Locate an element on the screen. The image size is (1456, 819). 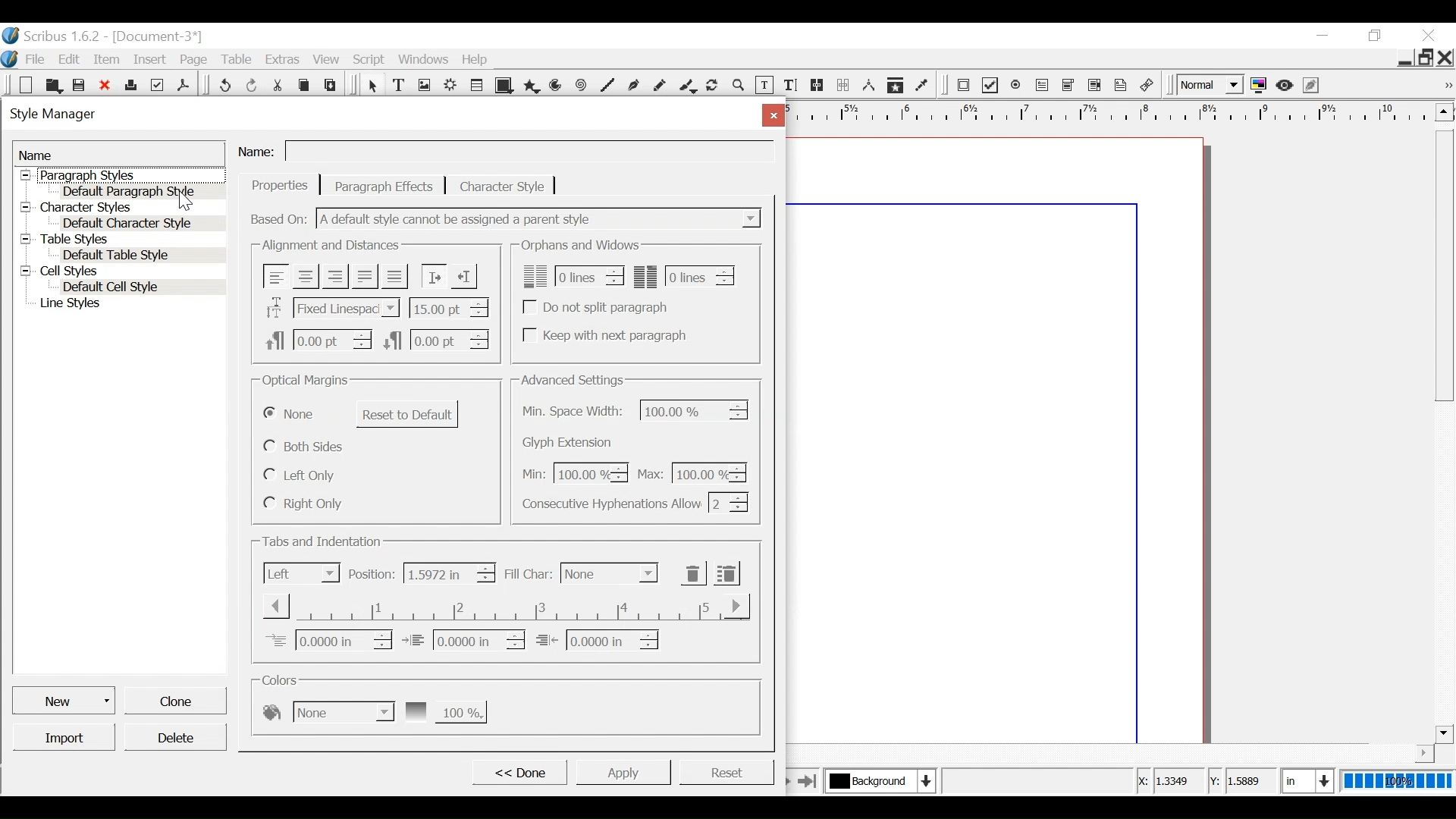
Windows is located at coordinates (425, 59).